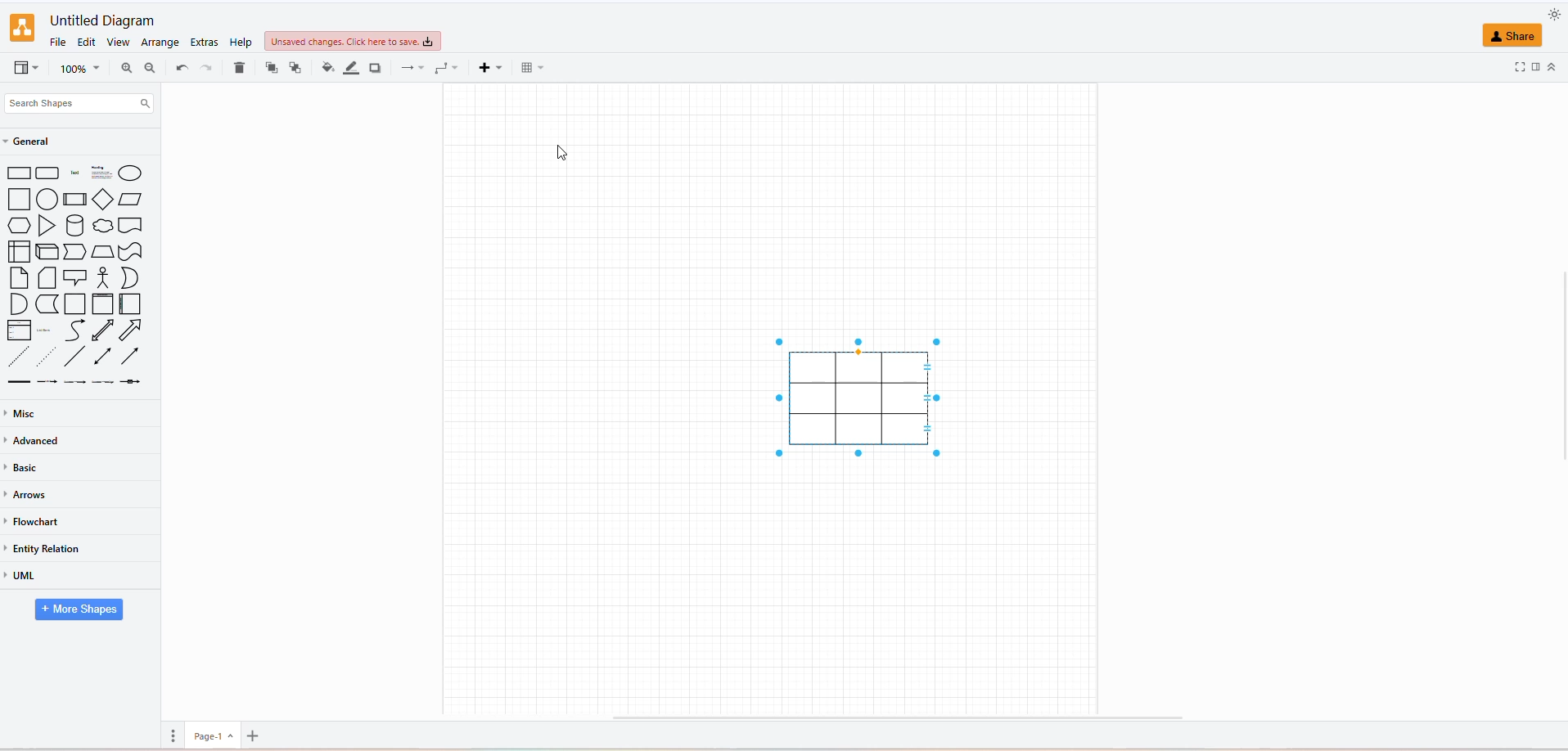 The height and width of the screenshot is (751, 1568). I want to click on view, so click(122, 43).